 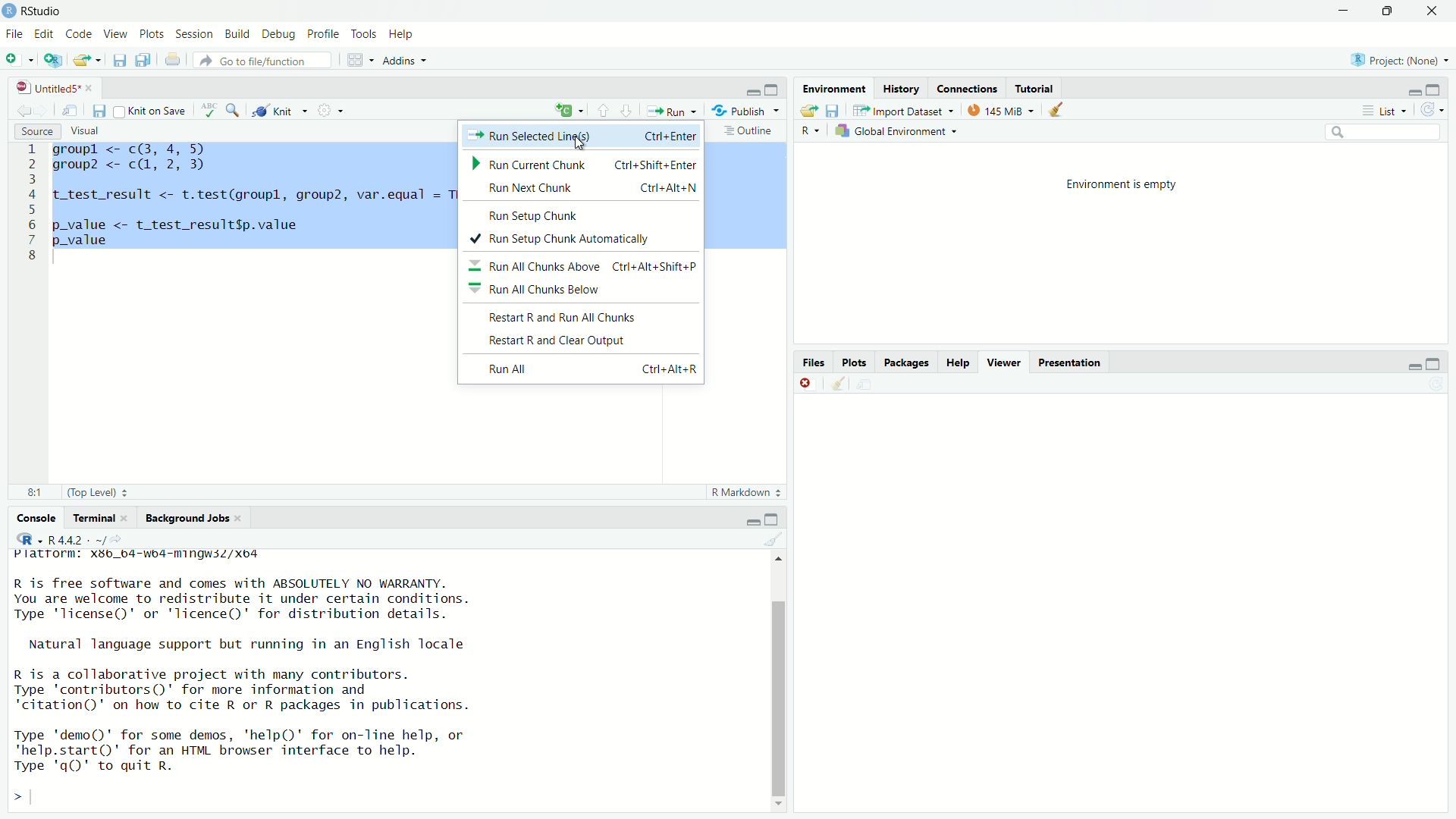 I want to click on minimise, so click(x=753, y=91).